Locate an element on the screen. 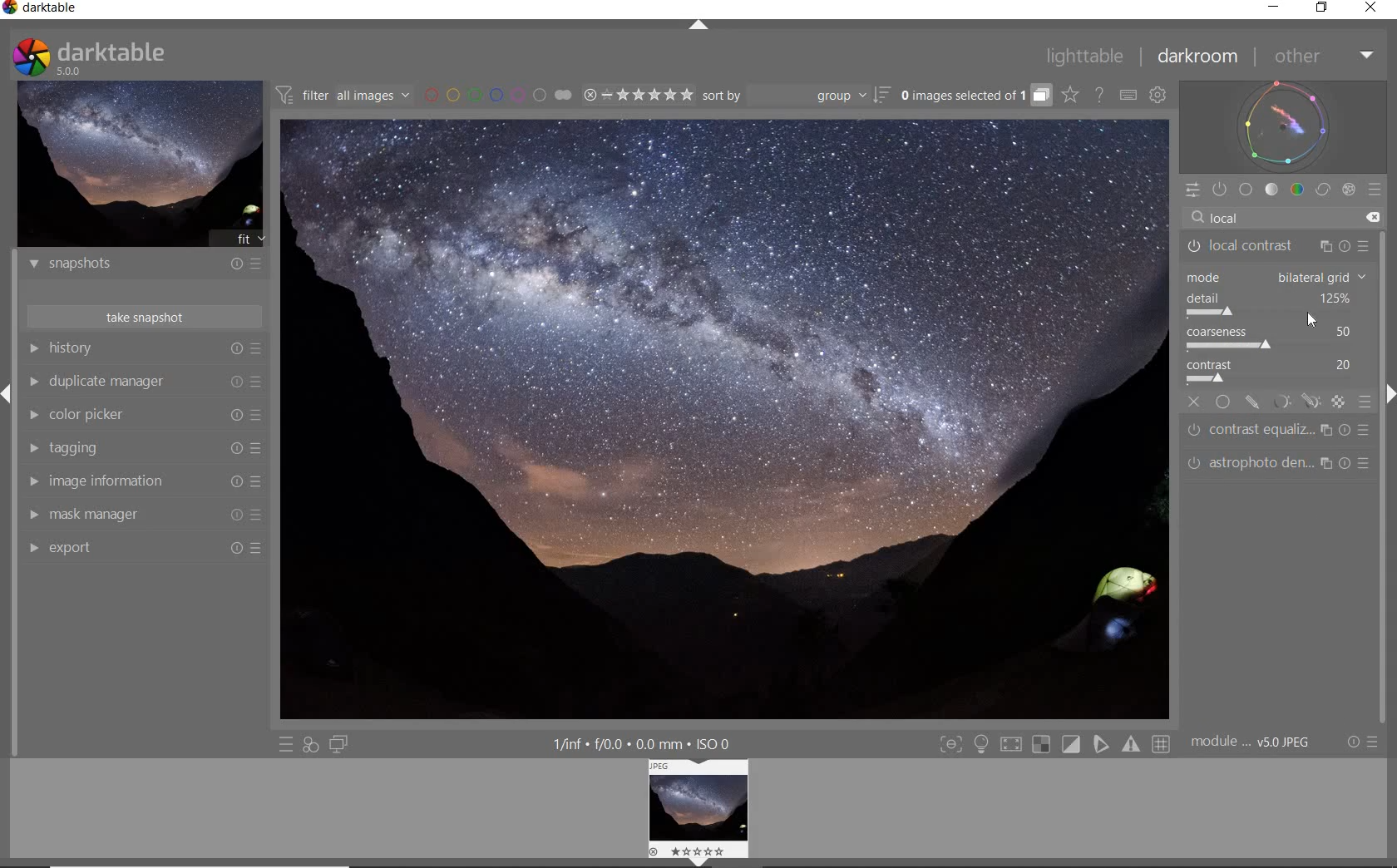  reset is located at coordinates (234, 378).